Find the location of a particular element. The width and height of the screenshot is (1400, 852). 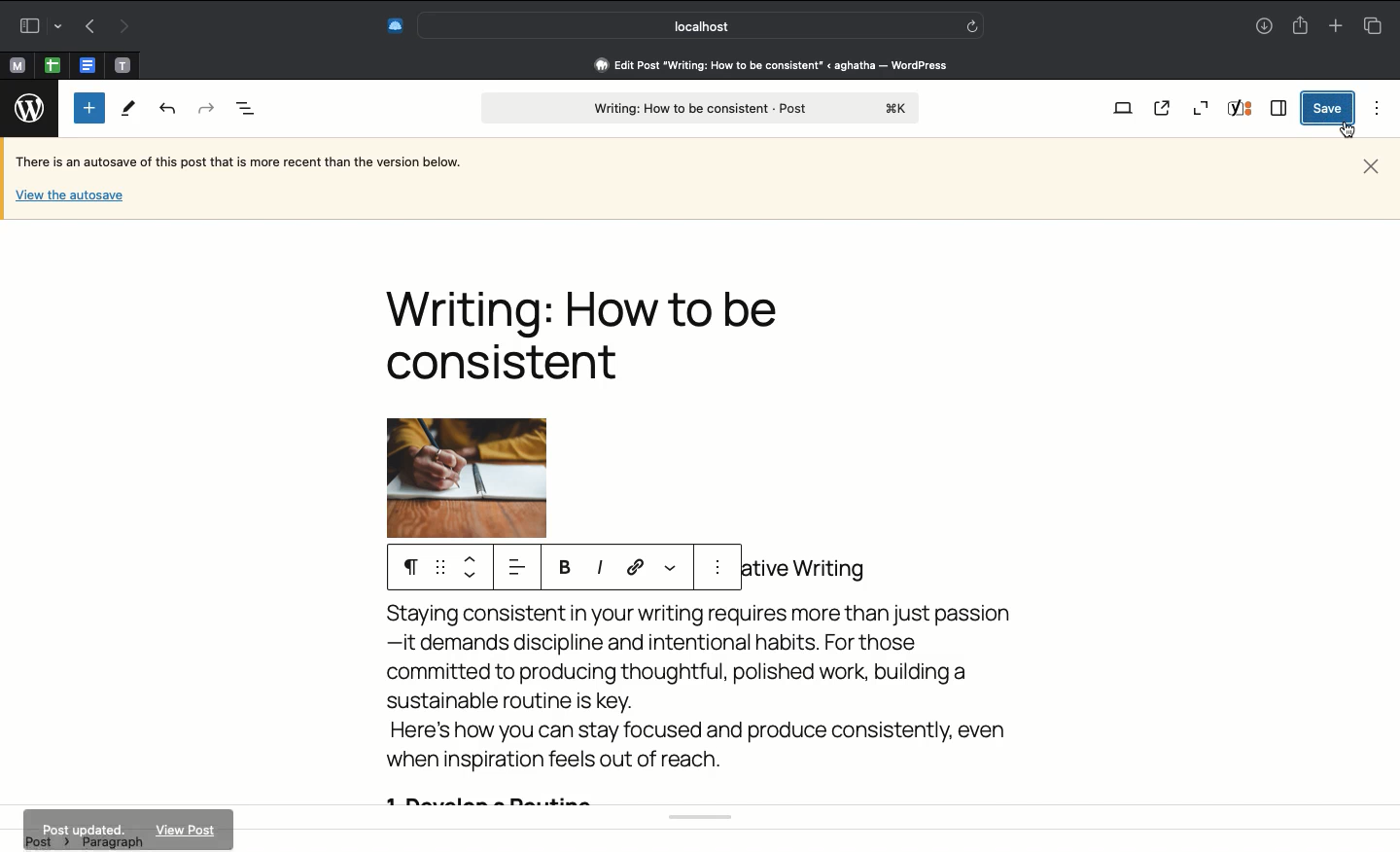

Downloads is located at coordinates (1264, 27).